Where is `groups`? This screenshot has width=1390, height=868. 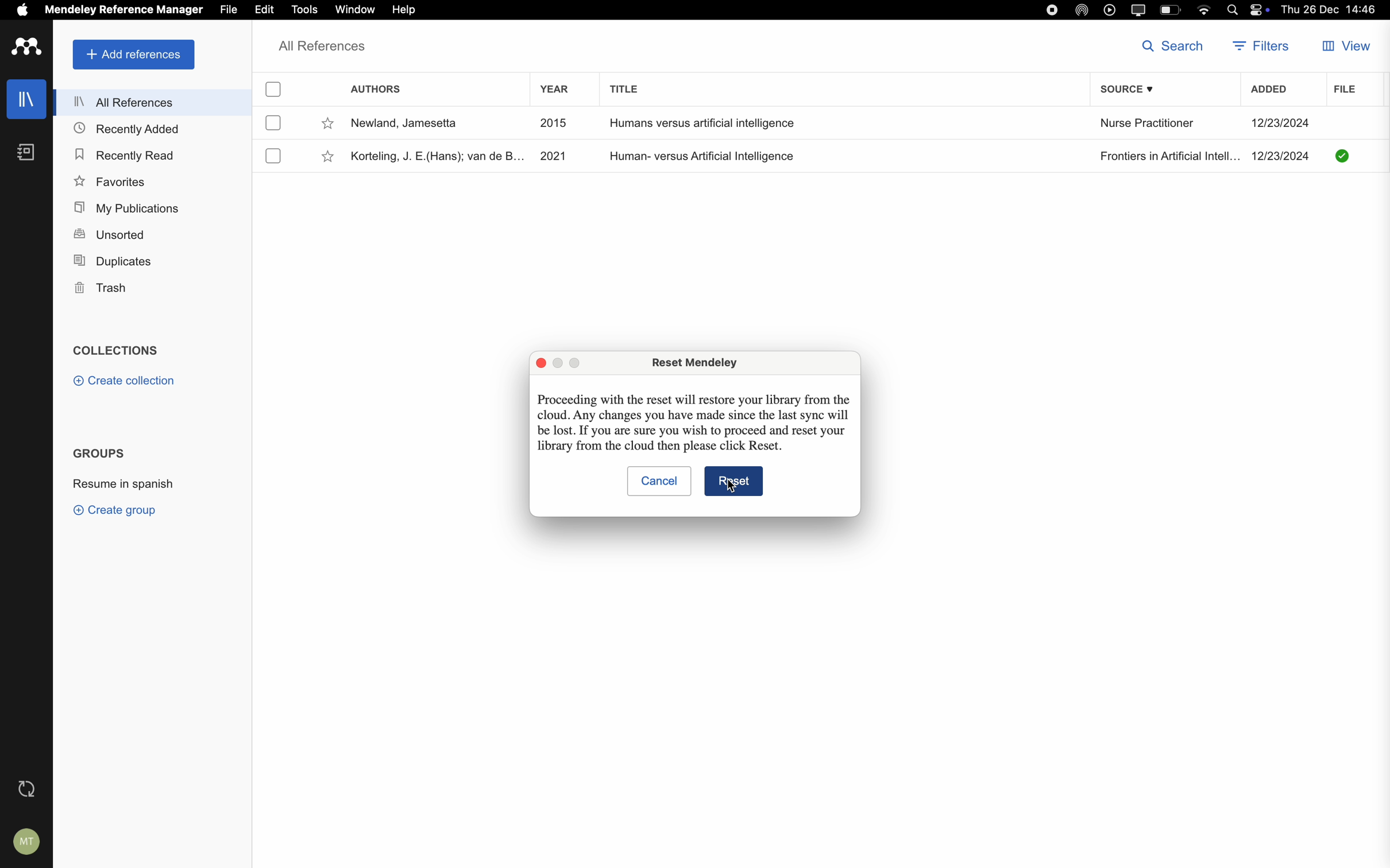 groups is located at coordinates (100, 451).